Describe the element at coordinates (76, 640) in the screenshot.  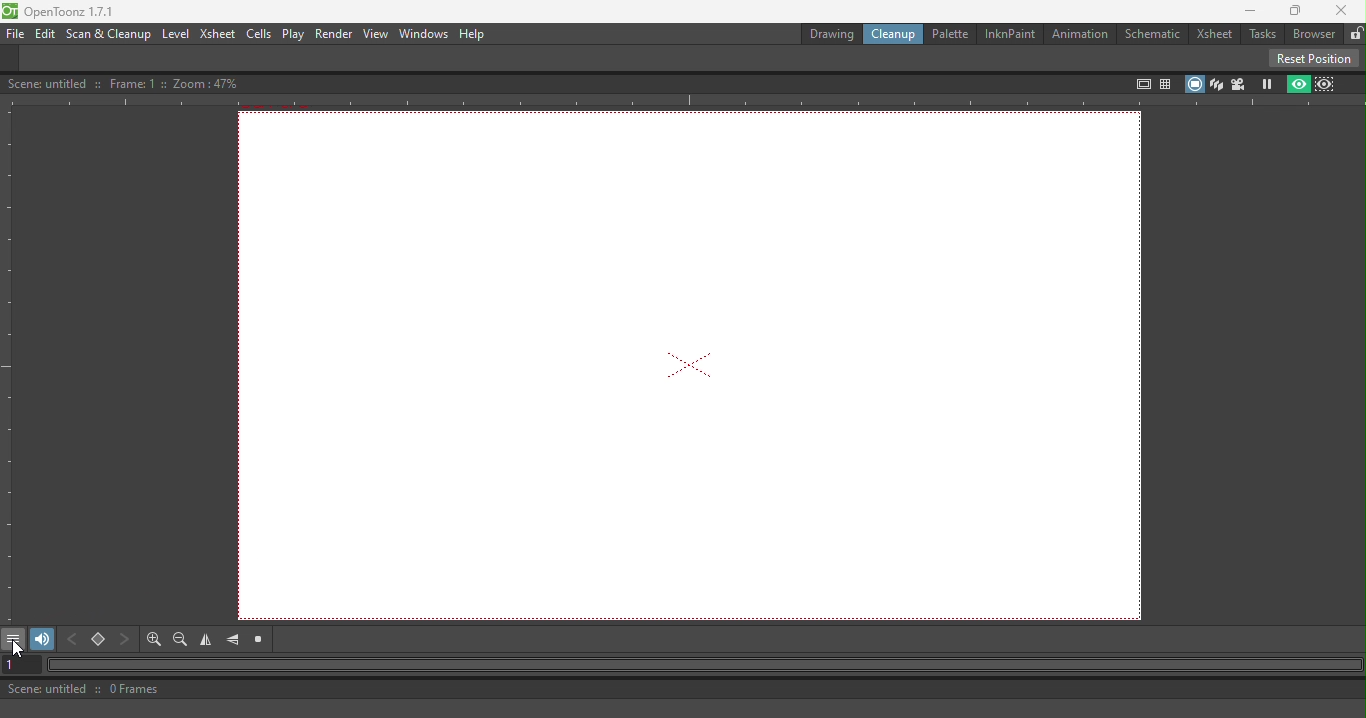
I see `Previous key` at that location.